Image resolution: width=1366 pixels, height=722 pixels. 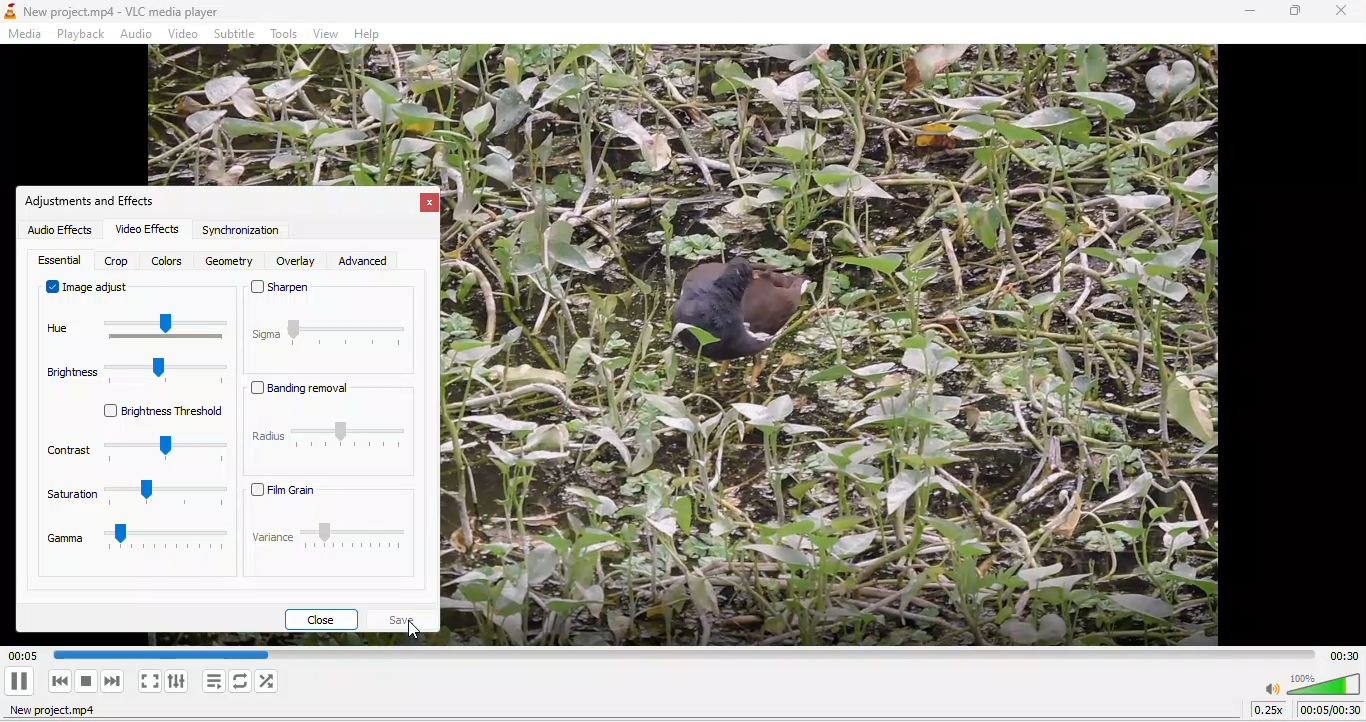 I want to click on variance, so click(x=331, y=545).